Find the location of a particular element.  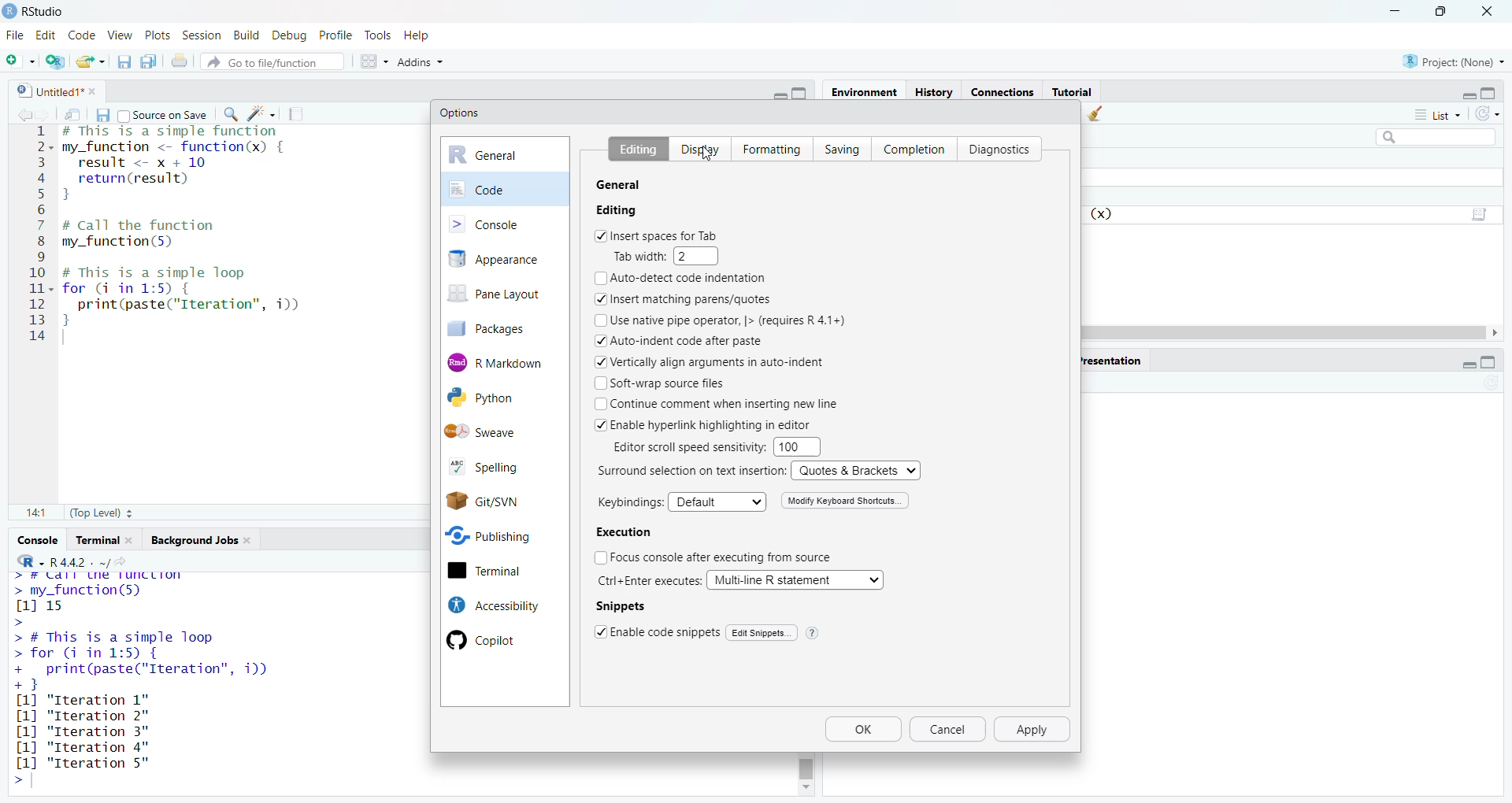

minimize is located at coordinates (1464, 92).